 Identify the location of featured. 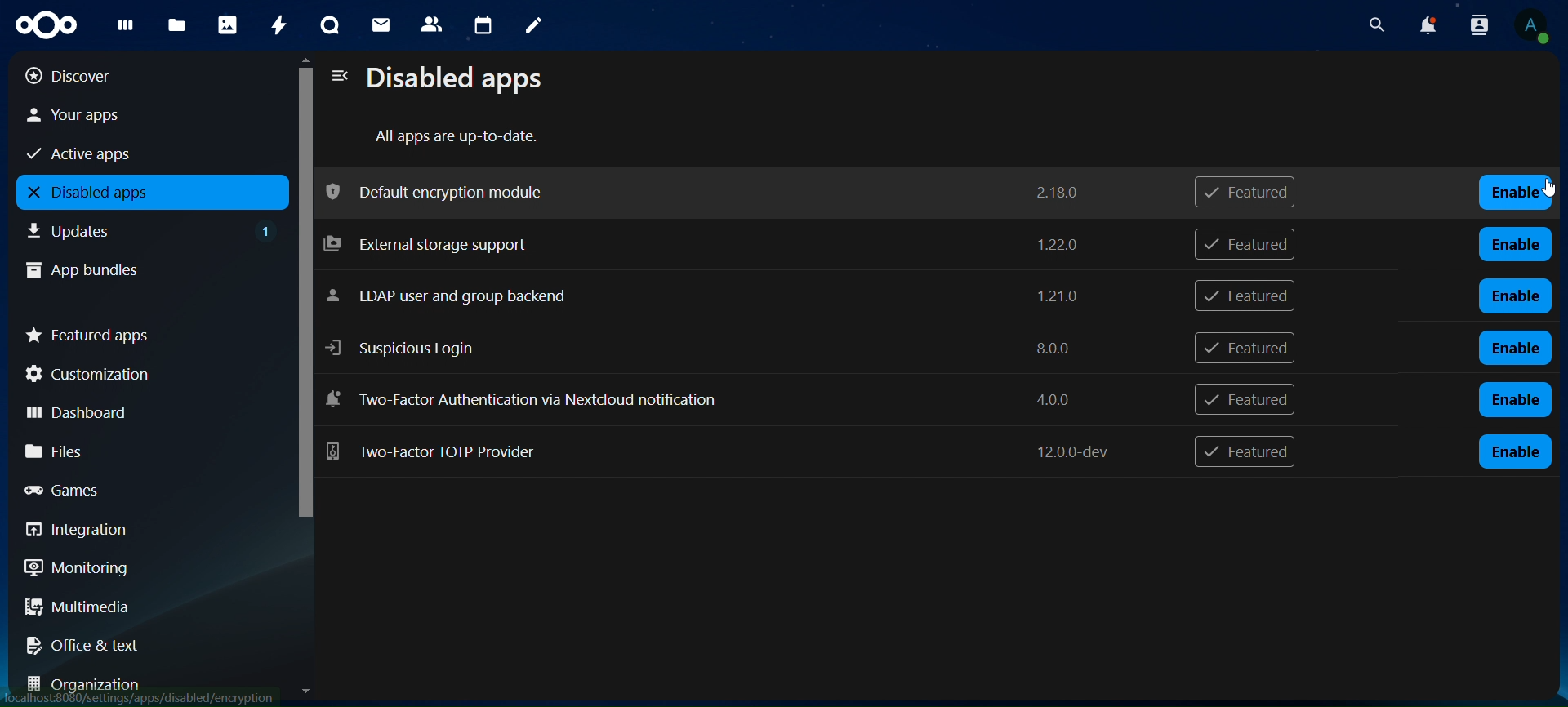
(1248, 454).